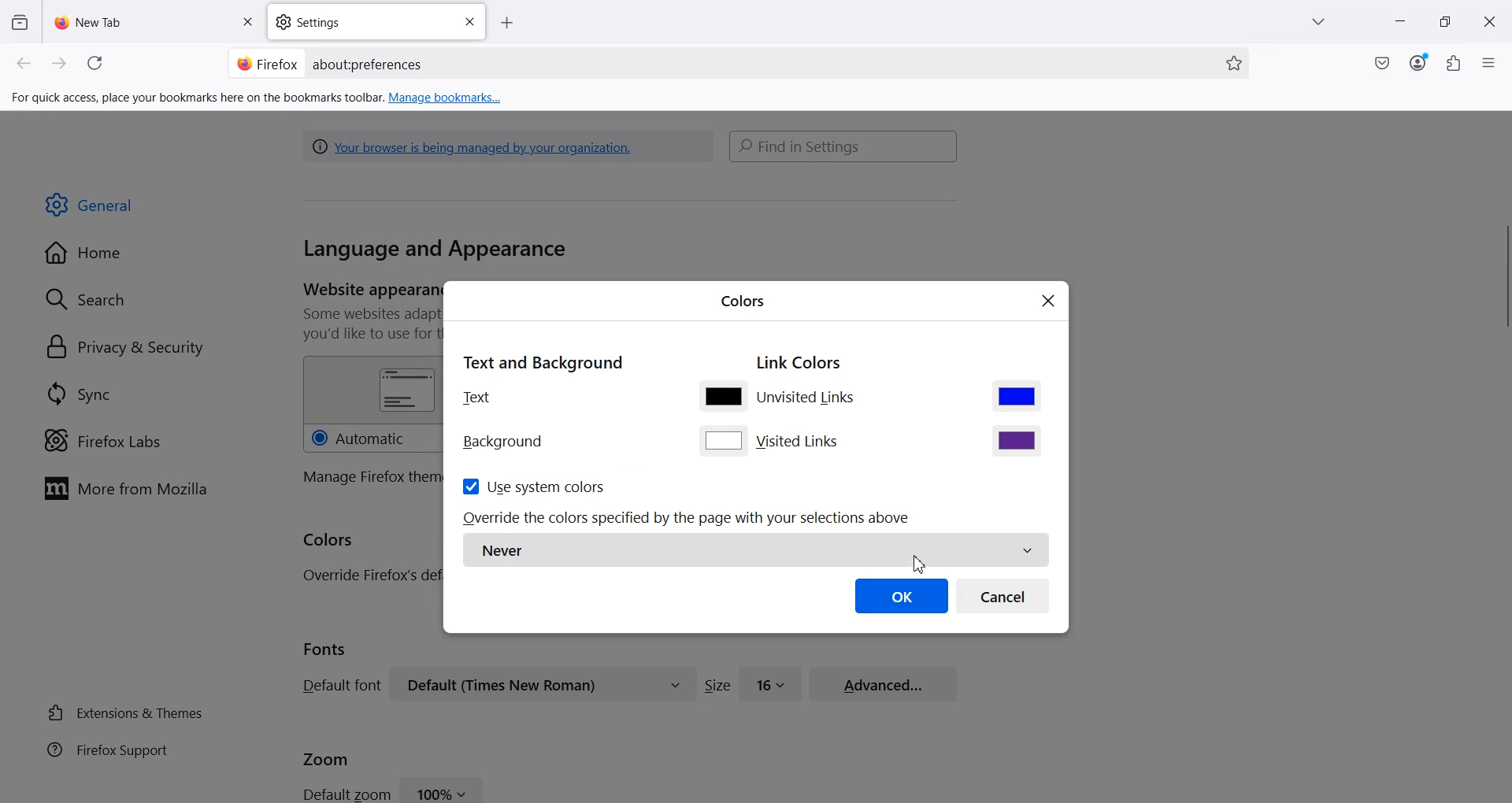  What do you see at coordinates (267, 62) in the screenshot?
I see `Firefox` at bounding box center [267, 62].